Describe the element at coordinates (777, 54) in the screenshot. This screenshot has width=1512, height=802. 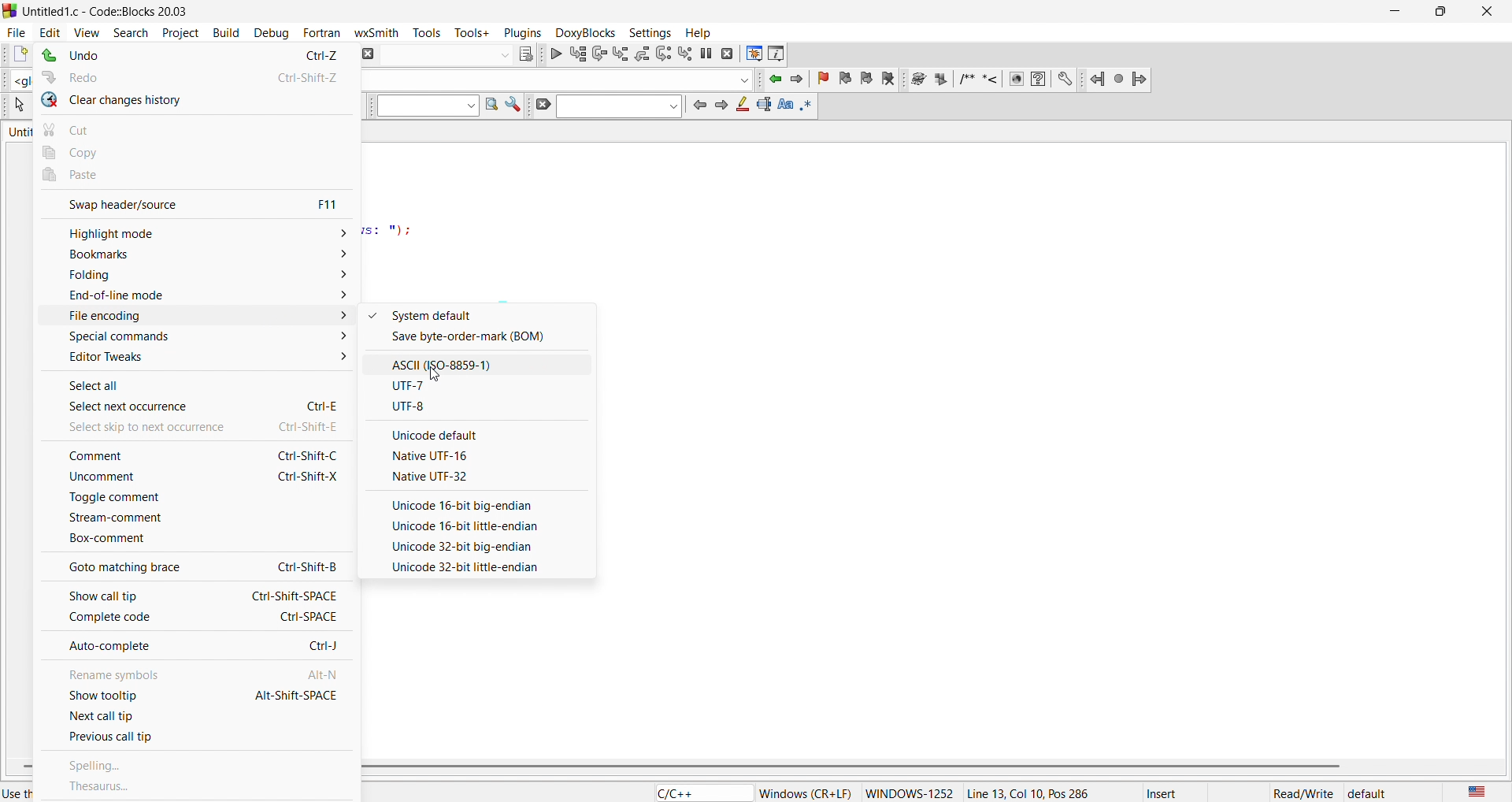
I see `info` at that location.